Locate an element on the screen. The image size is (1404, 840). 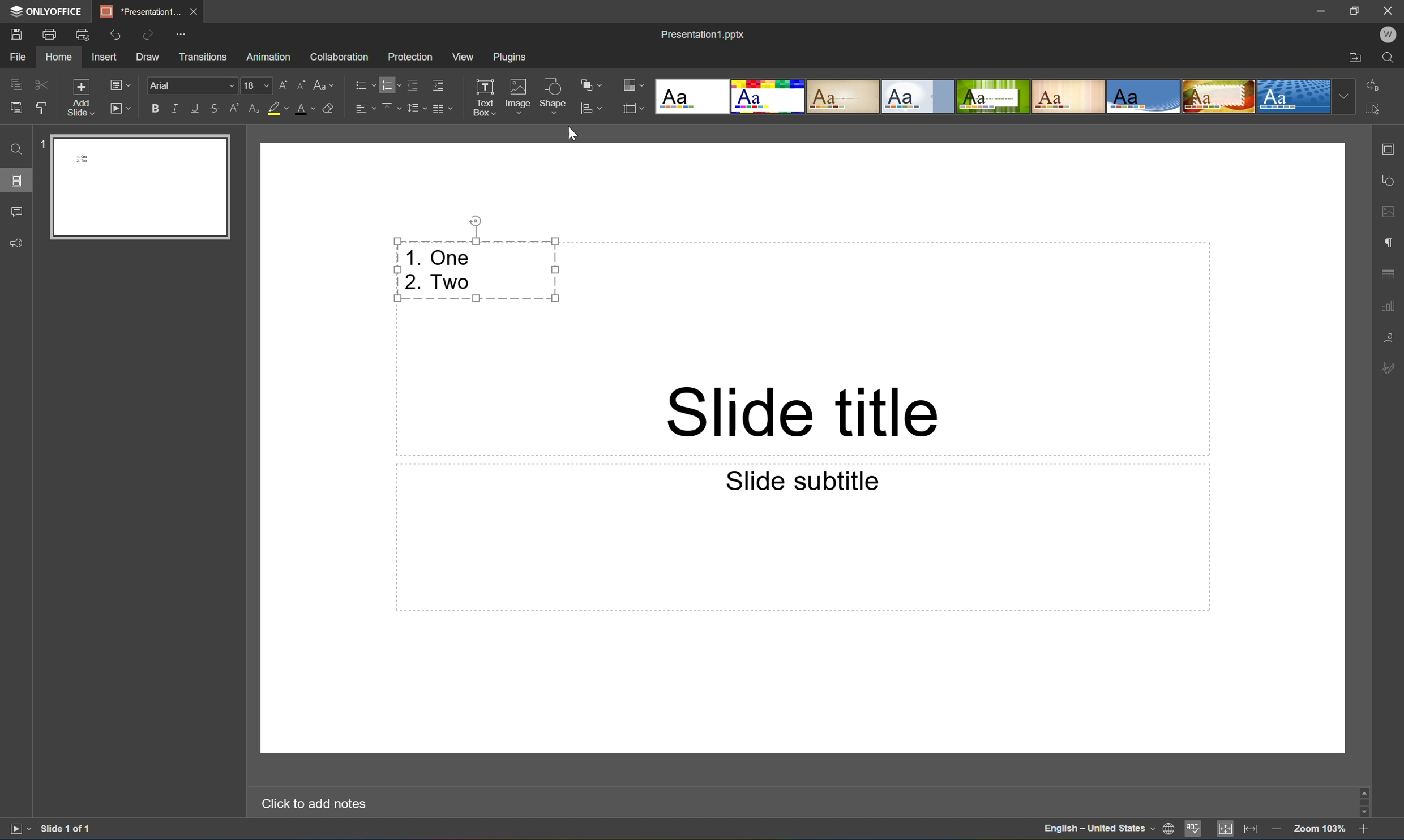
Save is located at coordinates (14, 33).